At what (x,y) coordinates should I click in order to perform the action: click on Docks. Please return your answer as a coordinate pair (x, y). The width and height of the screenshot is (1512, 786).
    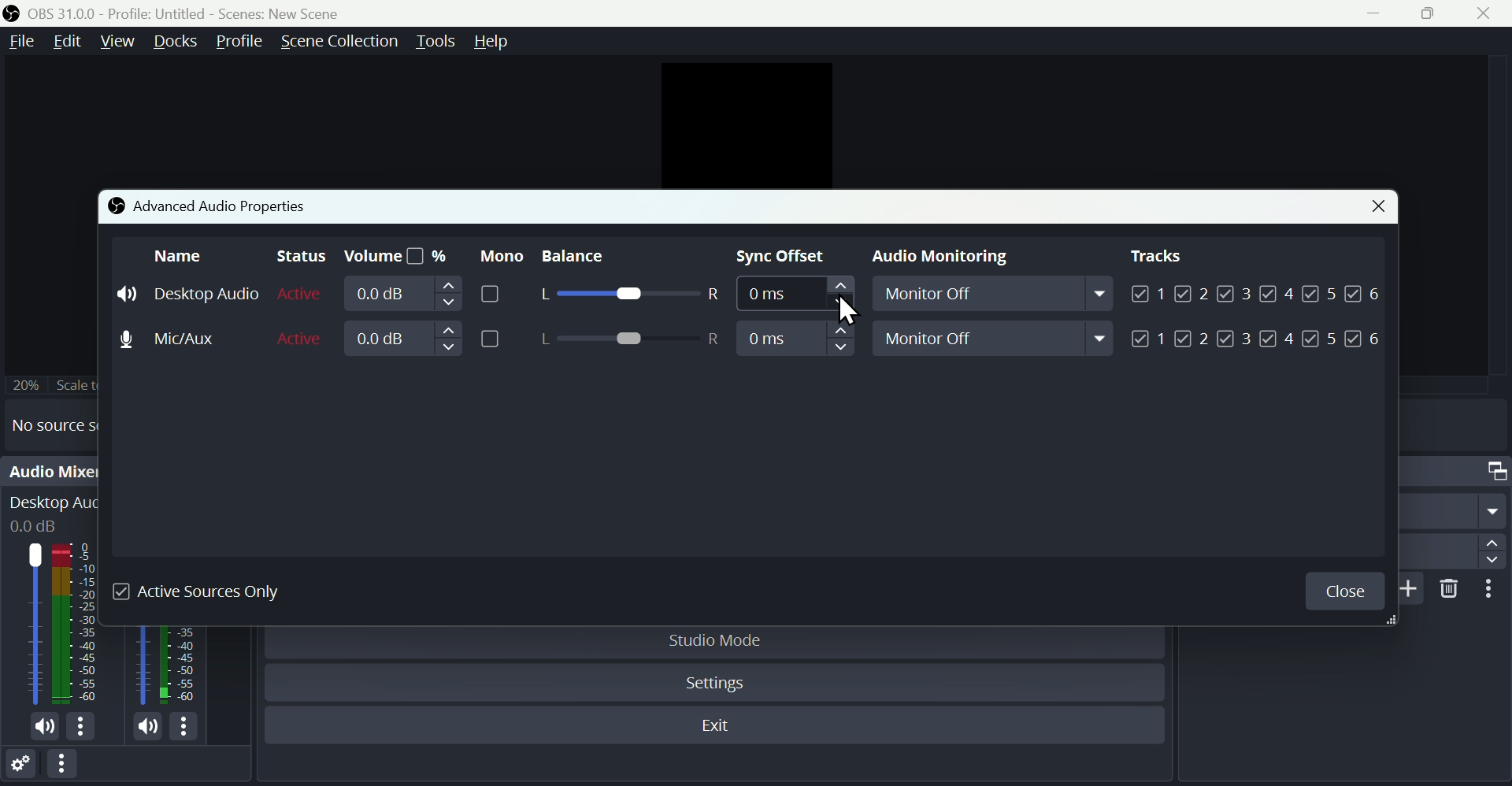
    Looking at the image, I should click on (176, 42).